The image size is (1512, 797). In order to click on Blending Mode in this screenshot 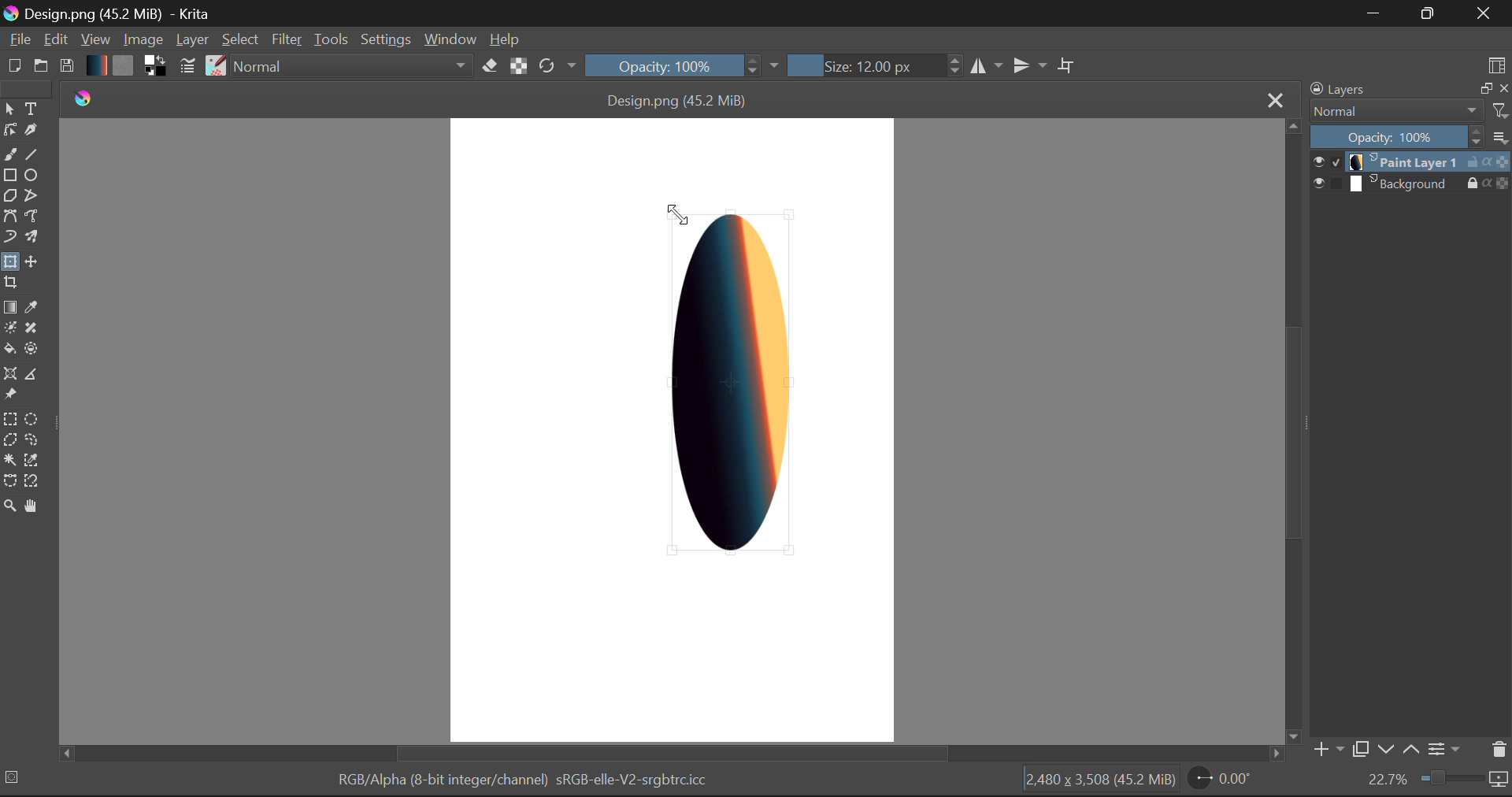, I will do `click(353, 65)`.